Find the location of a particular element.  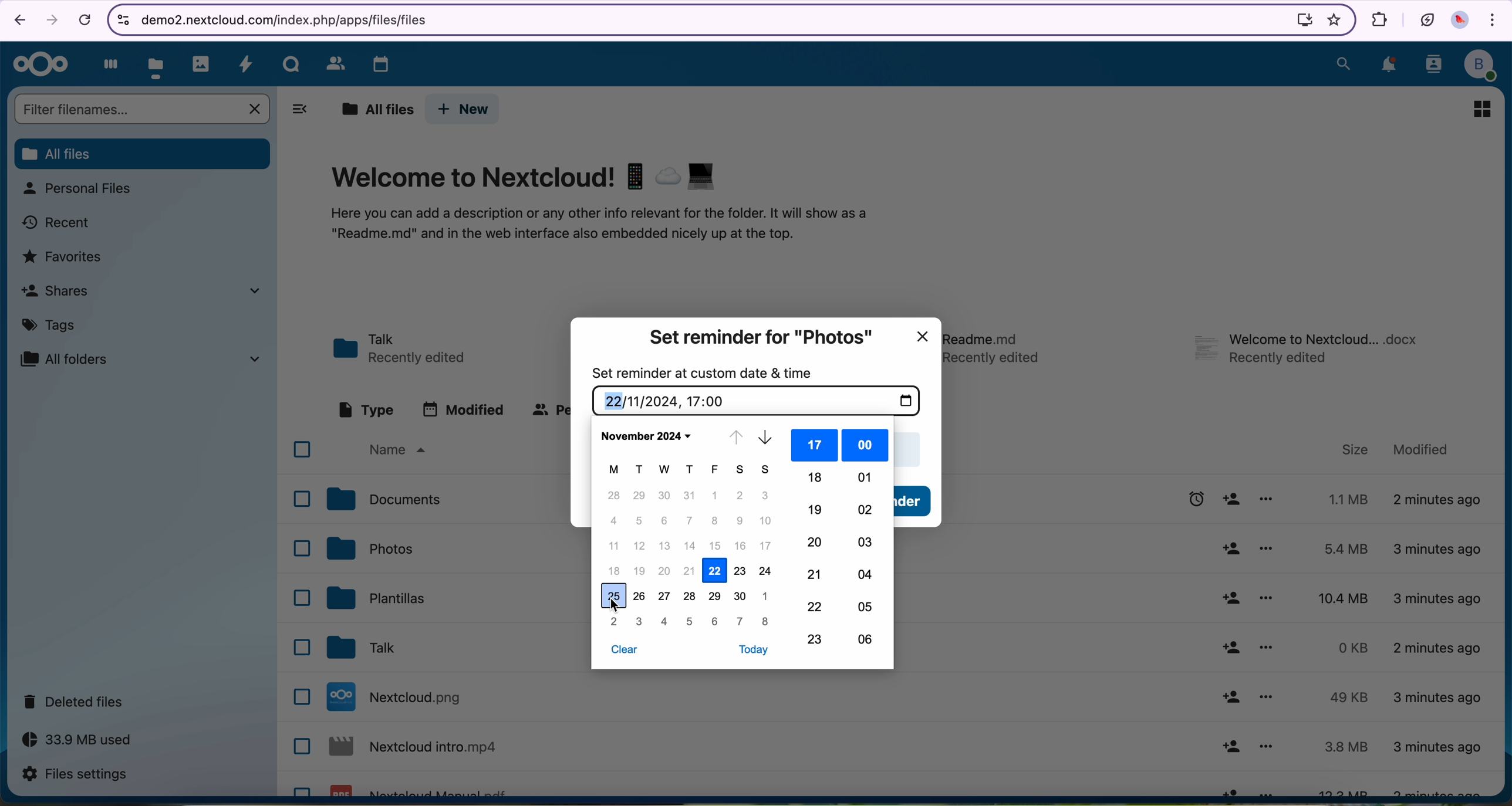

03 is located at coordinates (864, 541).